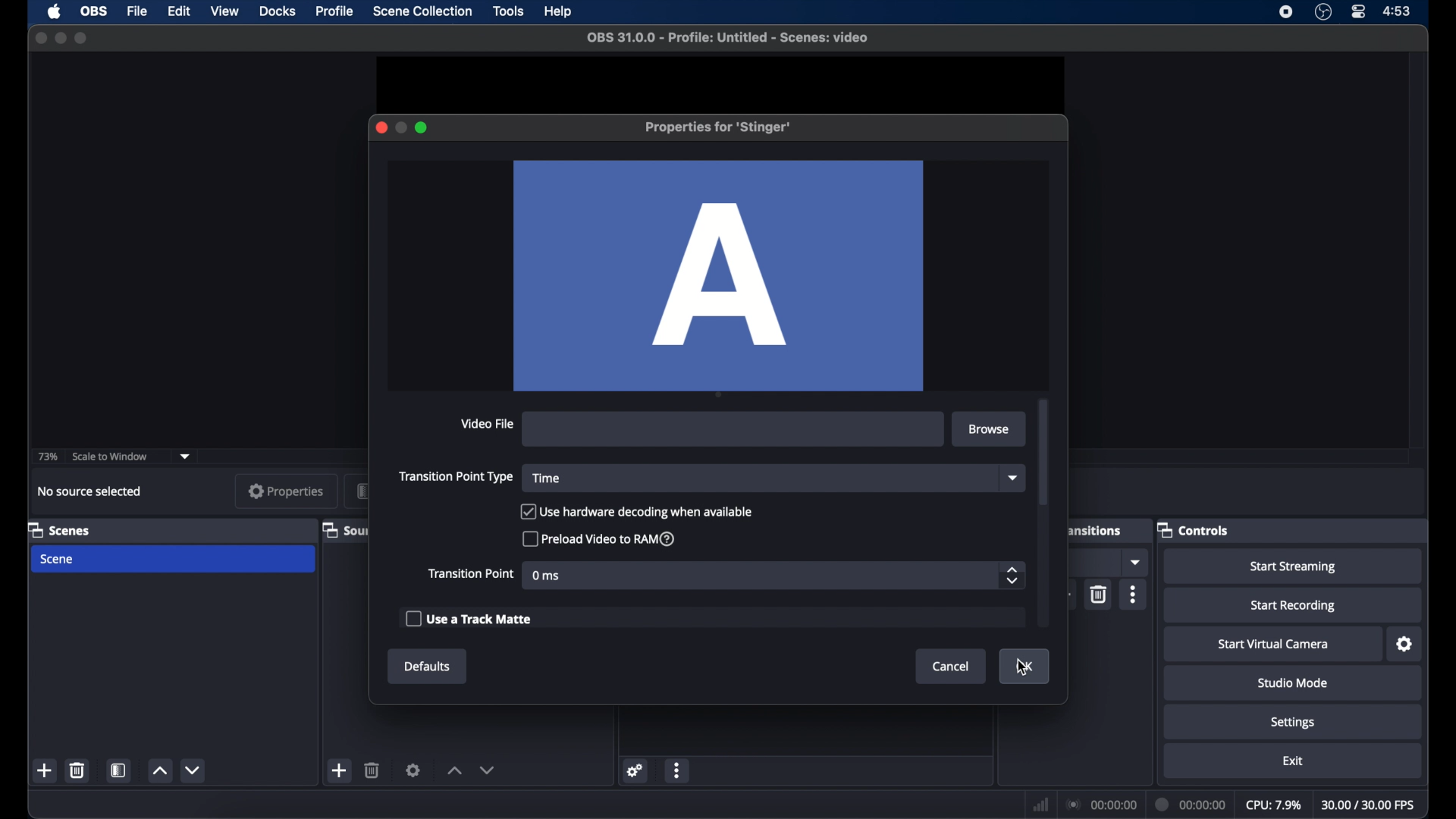 The image size is (1456, 819). What do you see at coordinates (194, 770) in the screenshot?
I see `decrement` at bounding box center [194, 770].